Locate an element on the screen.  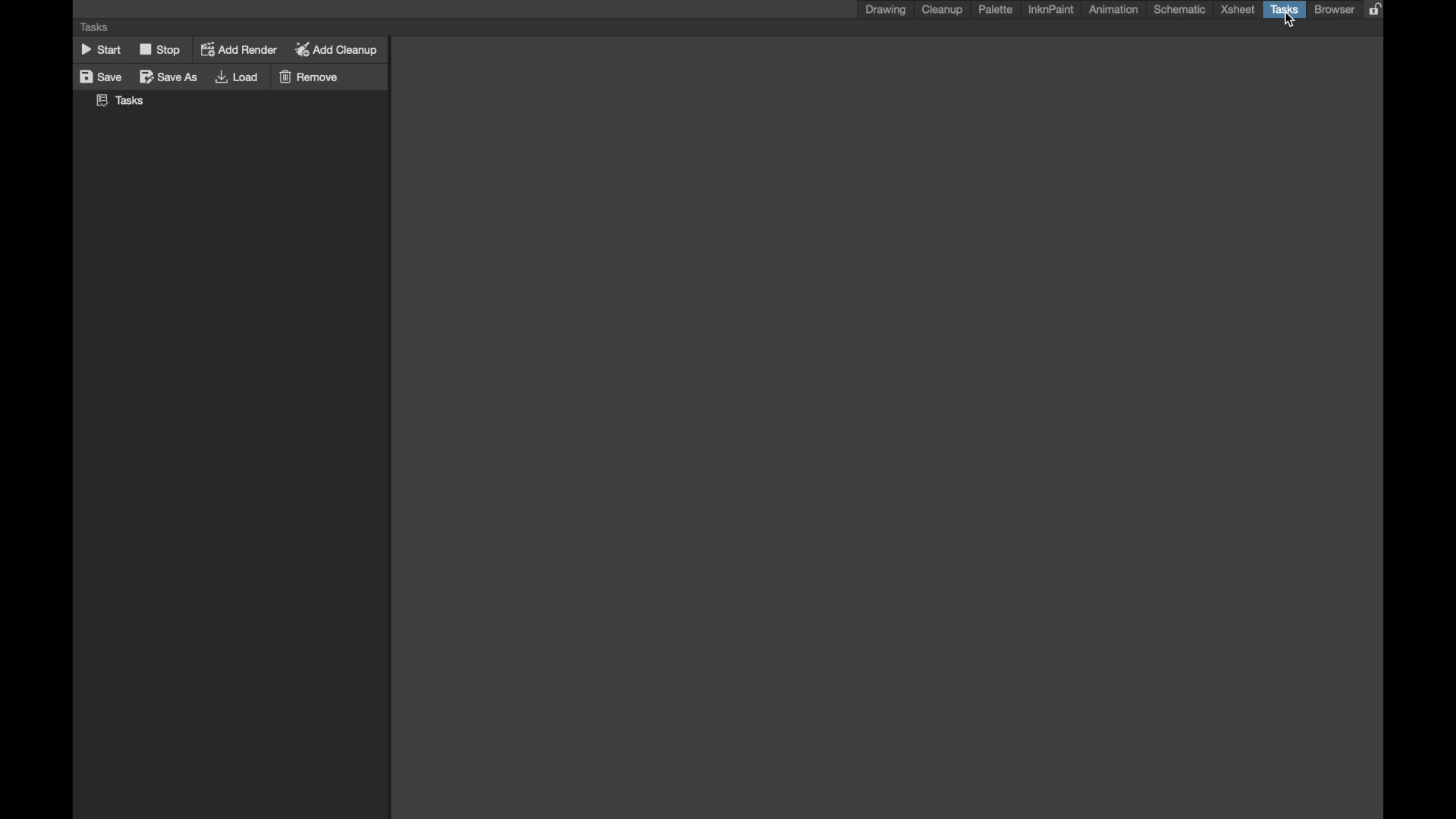
add clean up is located at coordinates (337, 49).